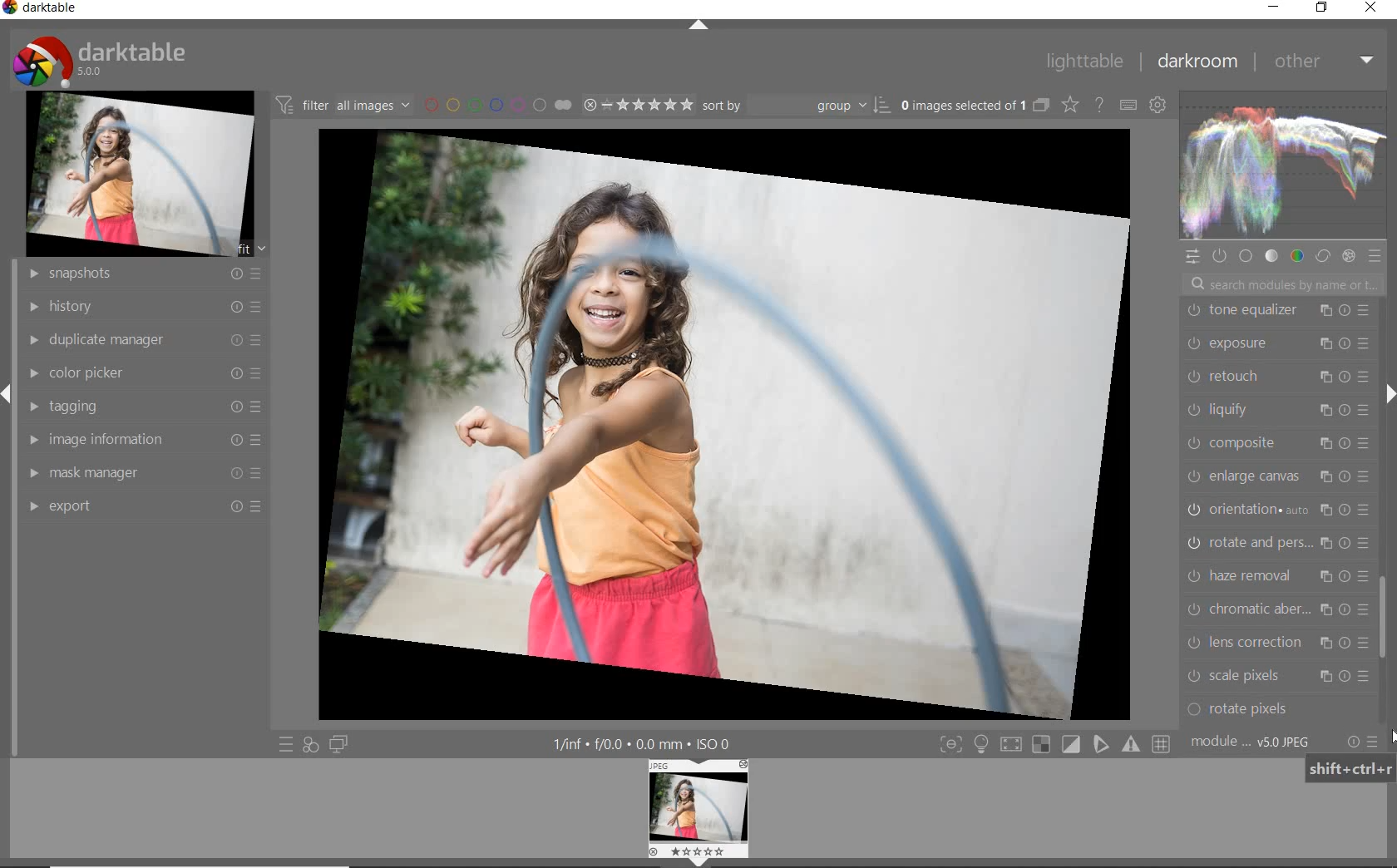  Describe the element at coordinates (1084, 62) in the screenshot. I see `lighttable` at that location.